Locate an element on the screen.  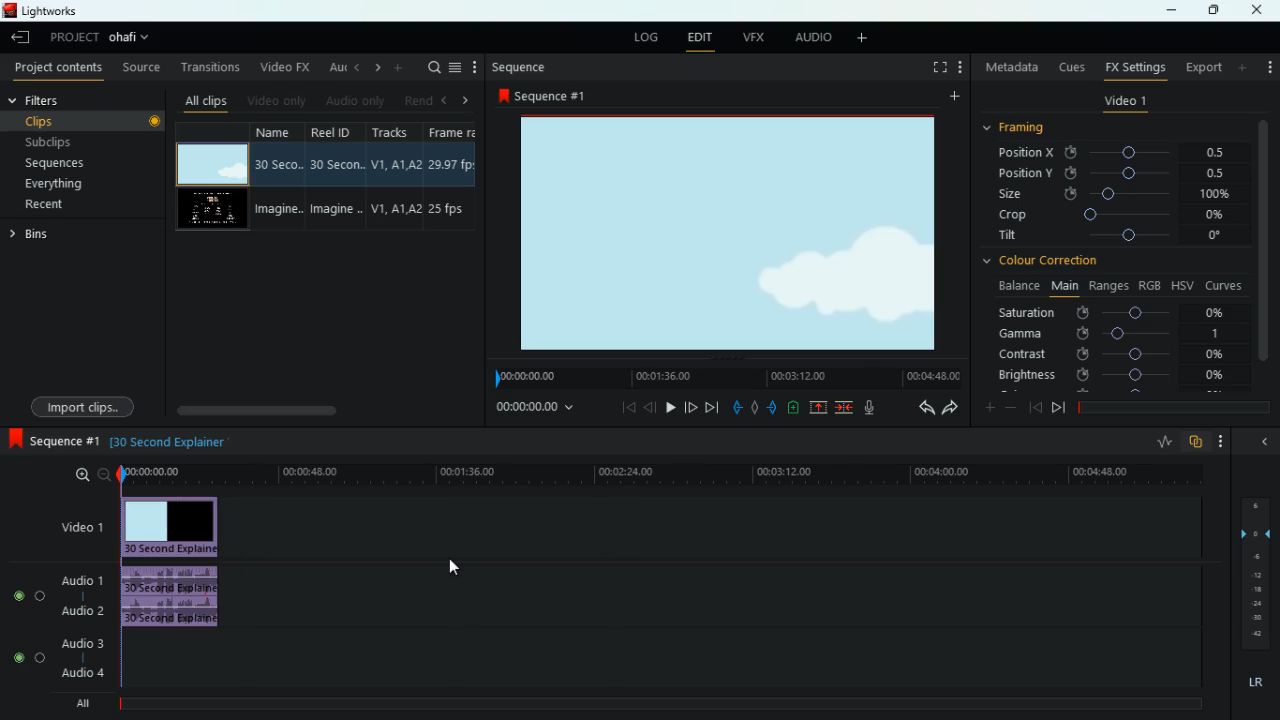
Imagine.. is located at coordinates (340, 212).